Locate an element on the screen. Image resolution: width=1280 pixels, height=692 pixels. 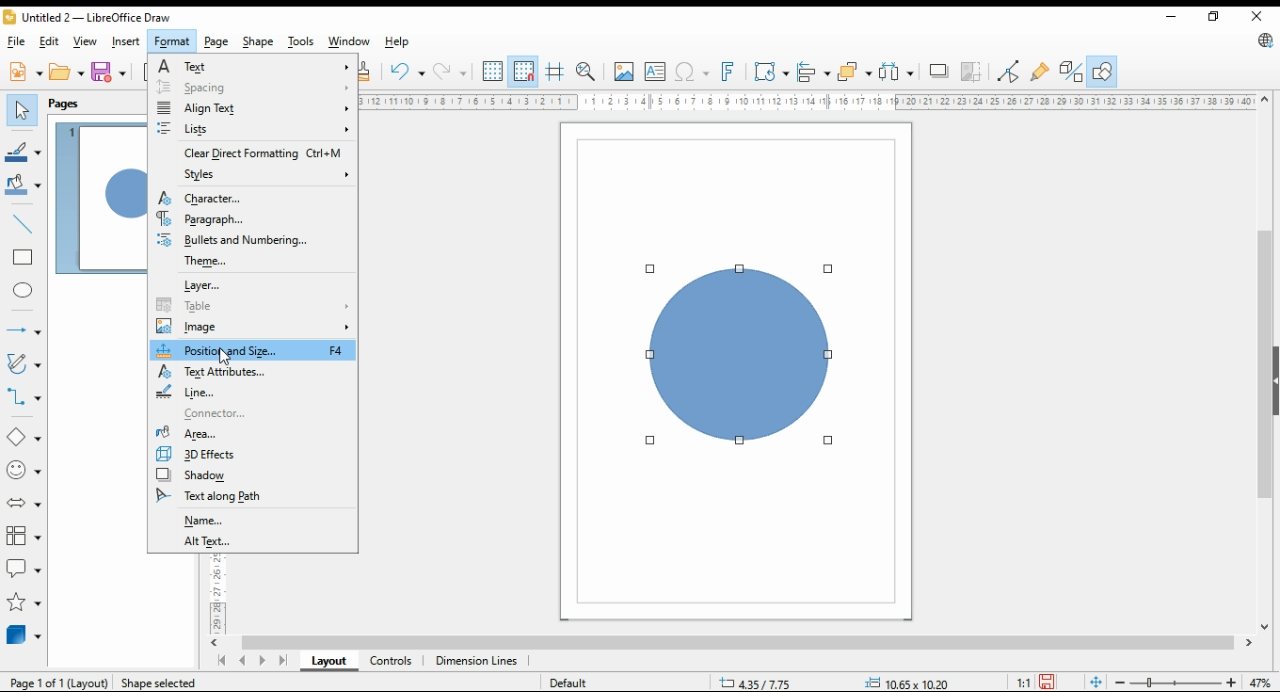
undo is located at coordinates (407, 72).